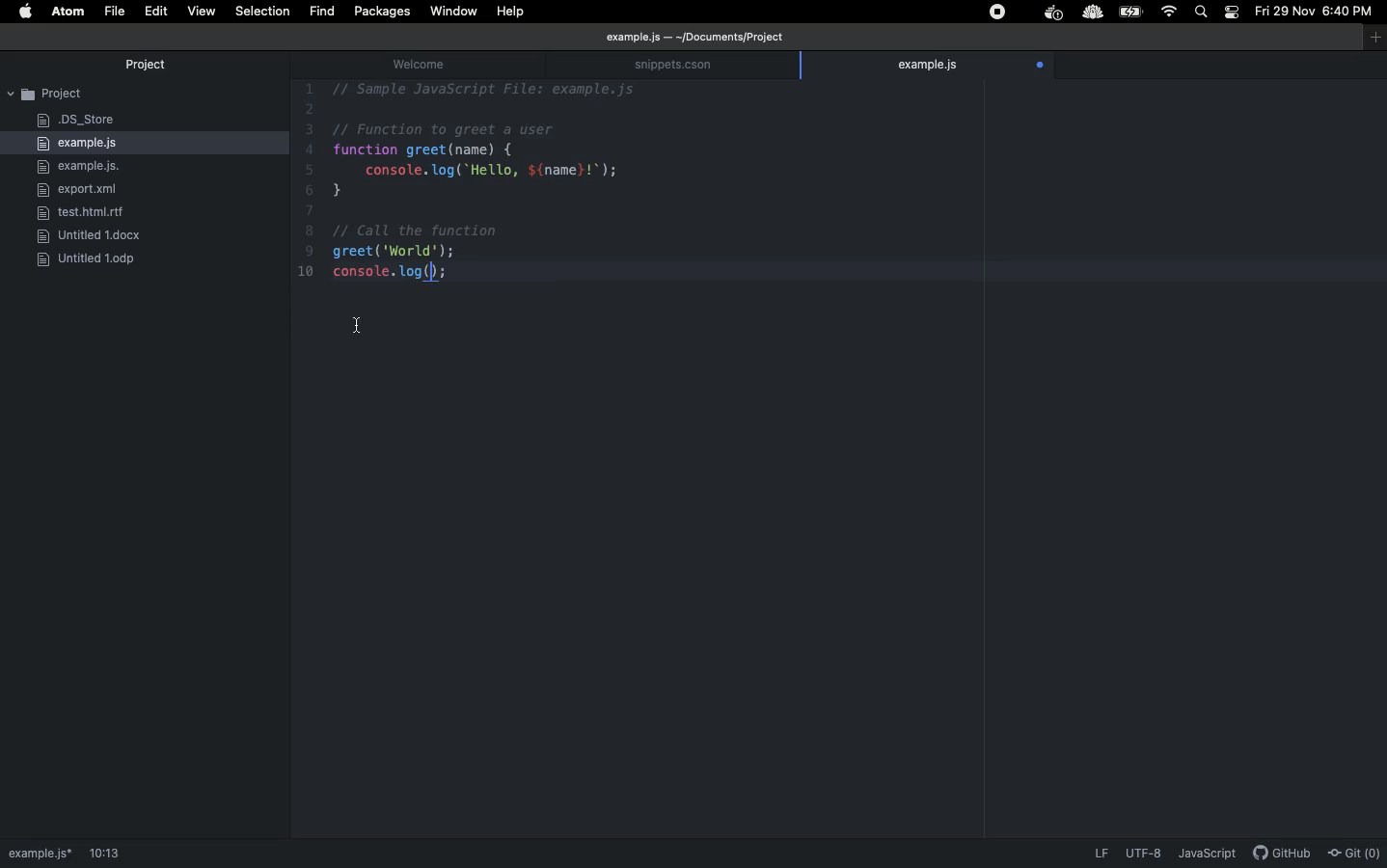  What do you see at coordinates (106, 852) in the screenshot?
I see `1:1` at bounding box center [106, 852].